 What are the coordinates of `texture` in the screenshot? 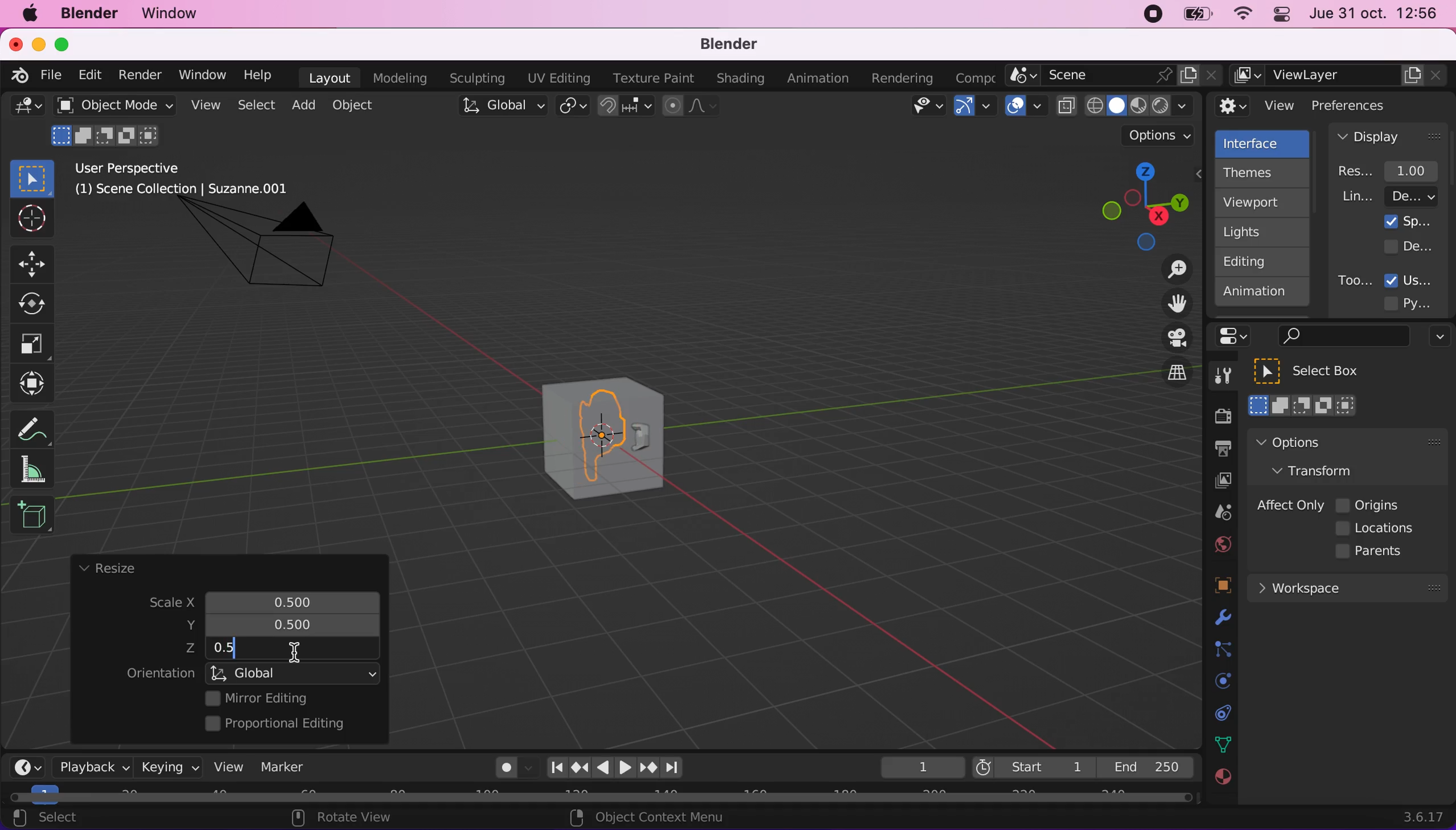 It's located at (1221, 783).